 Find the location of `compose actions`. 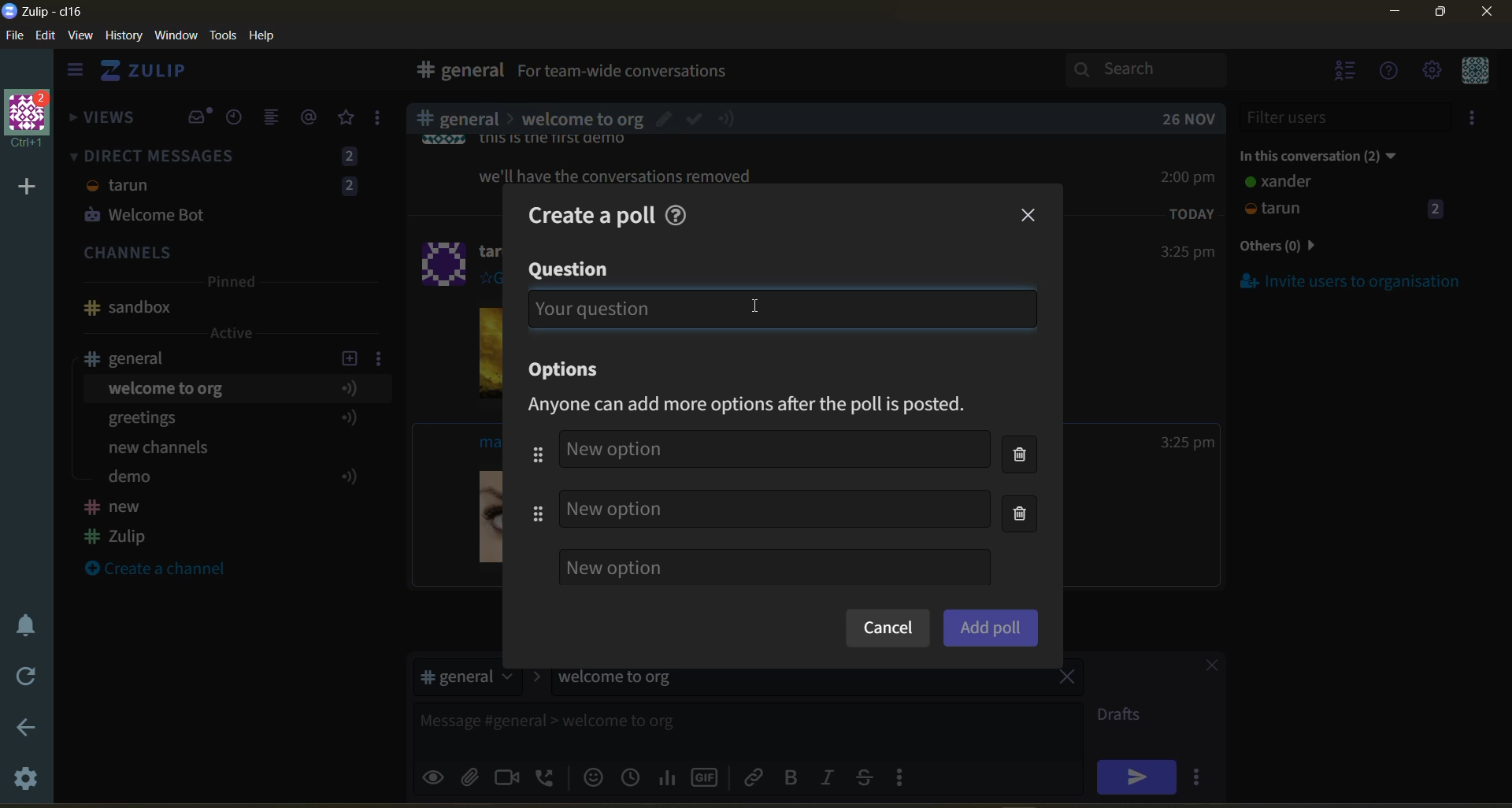

compose actions is located at coordinates (906, 776).